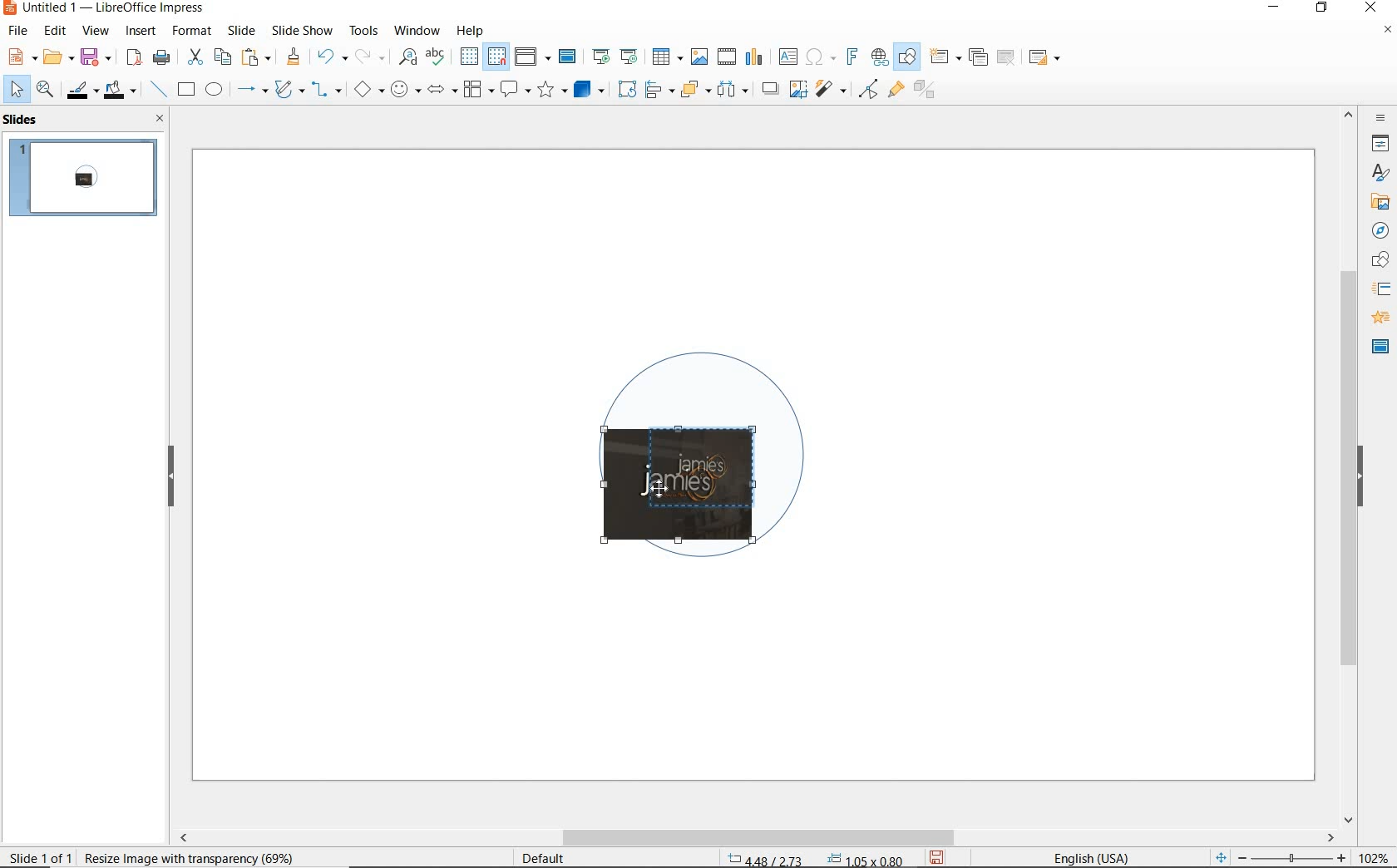  Describe the element at coordinates (1380, 174) in the screenshot. I see `styles` at that location.